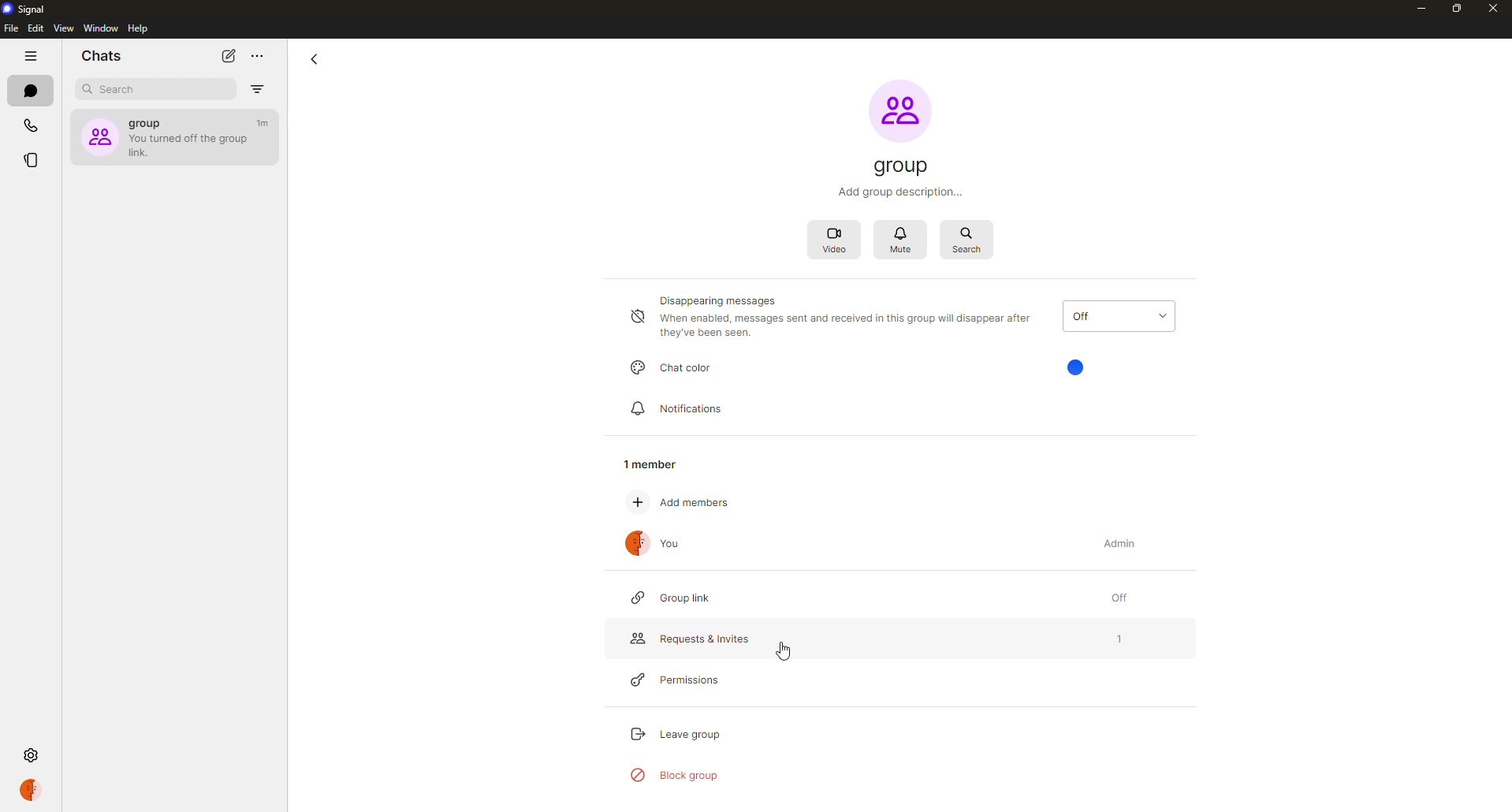  Describe the element at coordinates (899, 109) in the screenshot. I see `profile pic` at that location.